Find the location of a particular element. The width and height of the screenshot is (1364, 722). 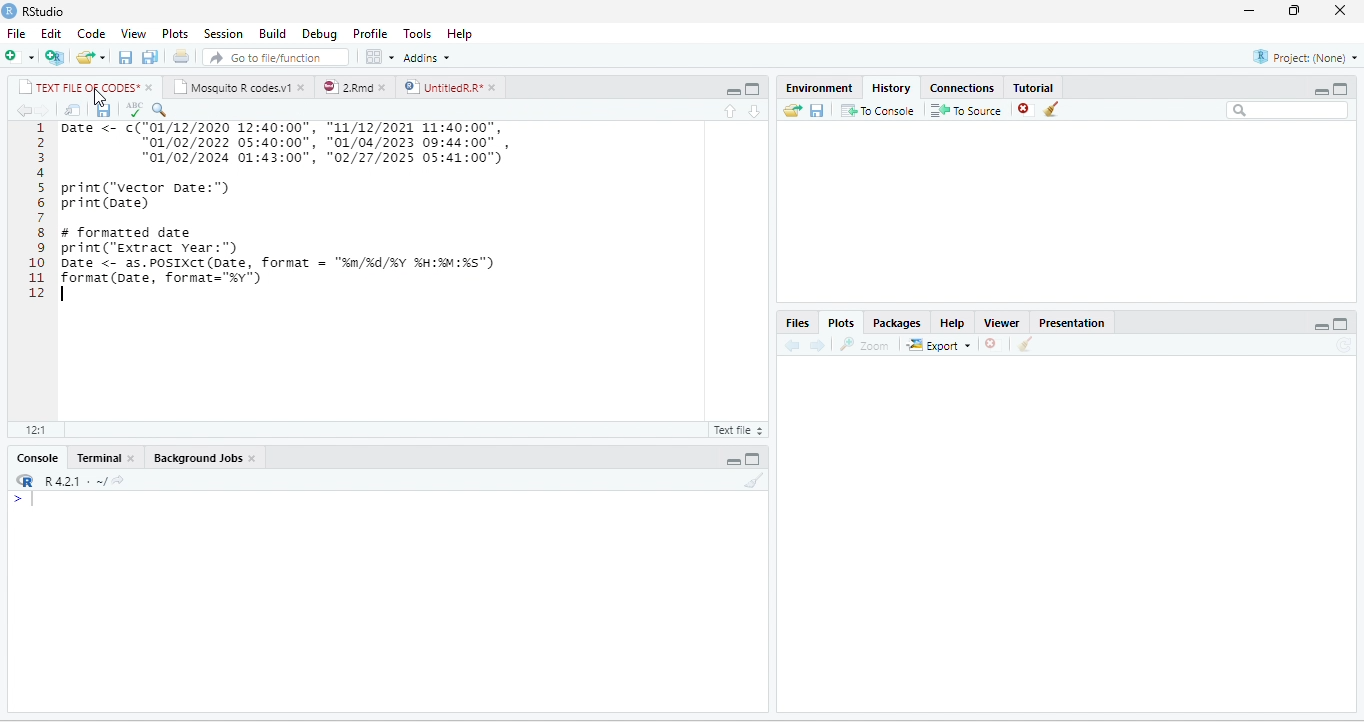

logo is located at coordinates (10, 11).